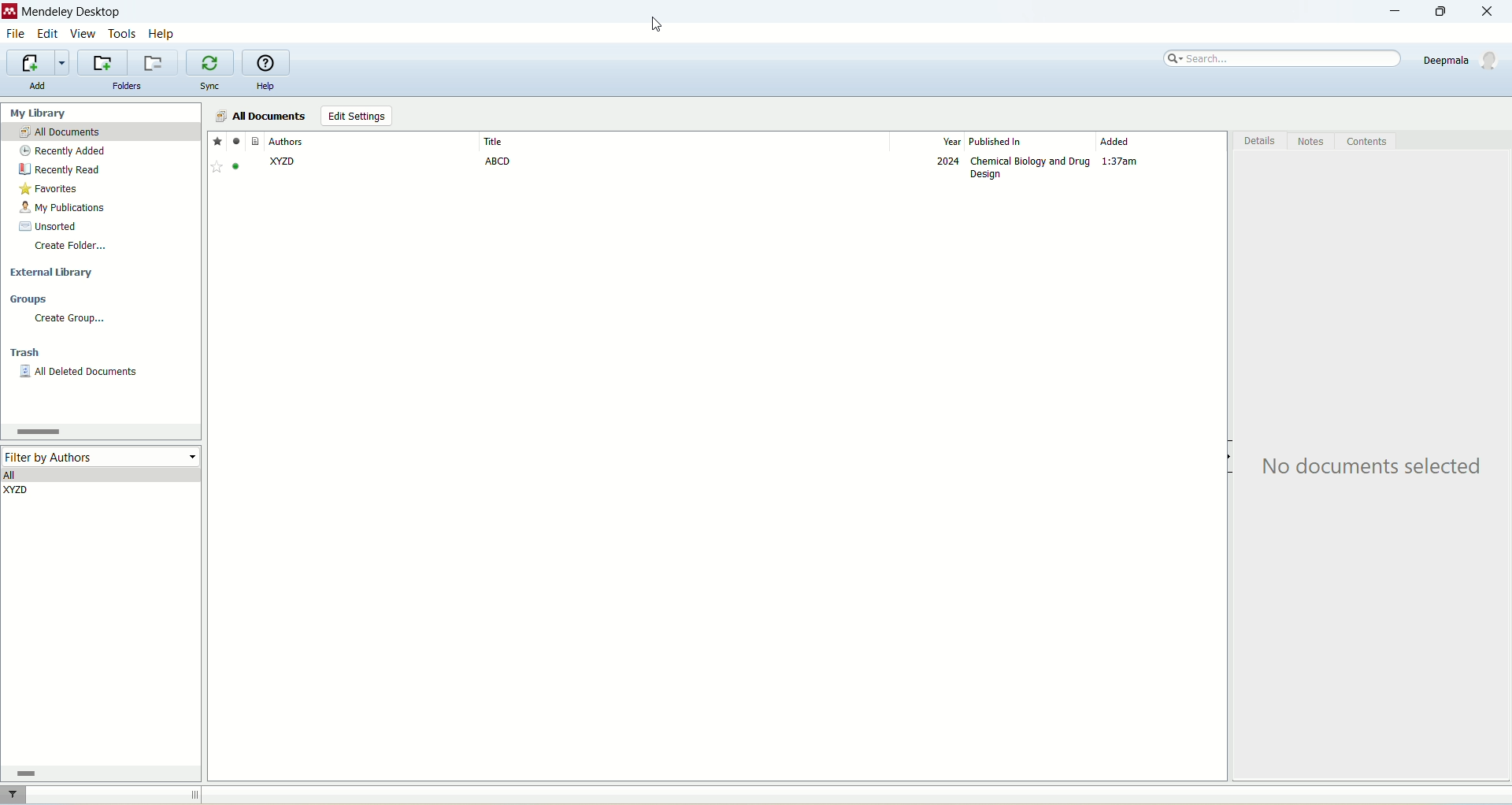 The width and height of the screenshot is (1512, 805). I want to click on create group, so click(74, 318).